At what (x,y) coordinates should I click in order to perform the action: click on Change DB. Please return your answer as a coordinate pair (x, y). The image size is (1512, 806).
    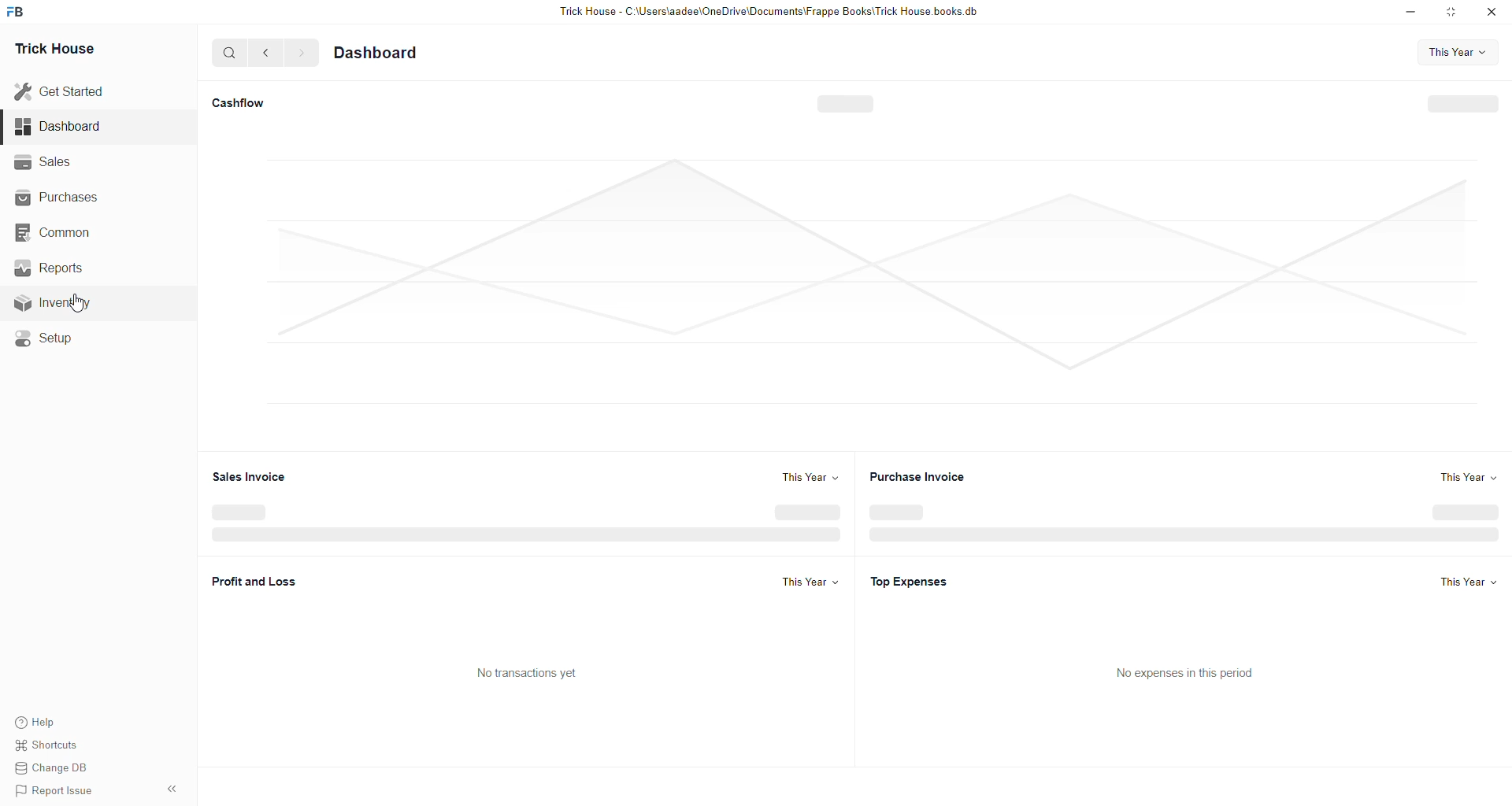
    Looking at the image, I should click on (54, 768).